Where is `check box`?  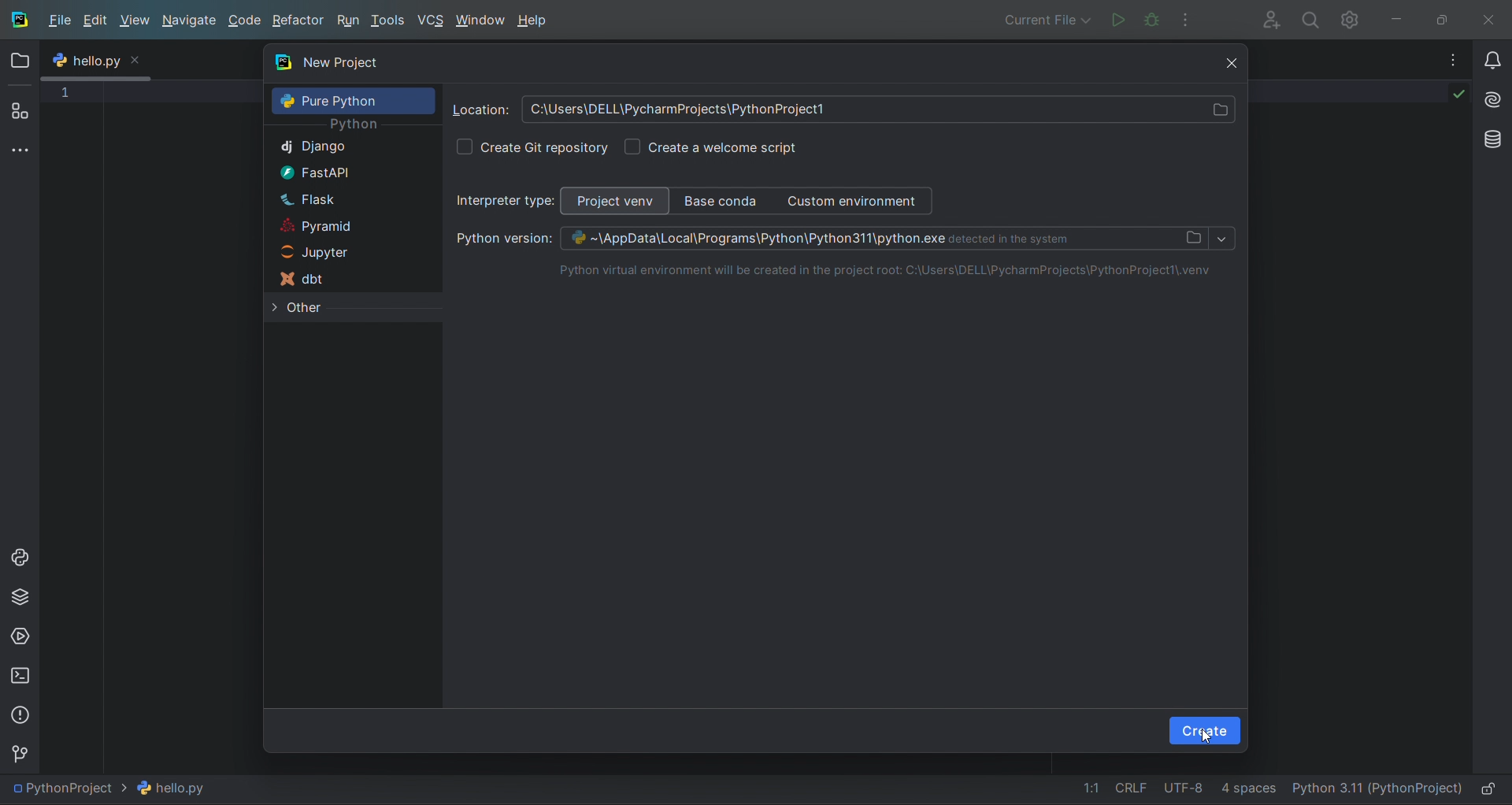 check box is located at coordinates (632, 146).